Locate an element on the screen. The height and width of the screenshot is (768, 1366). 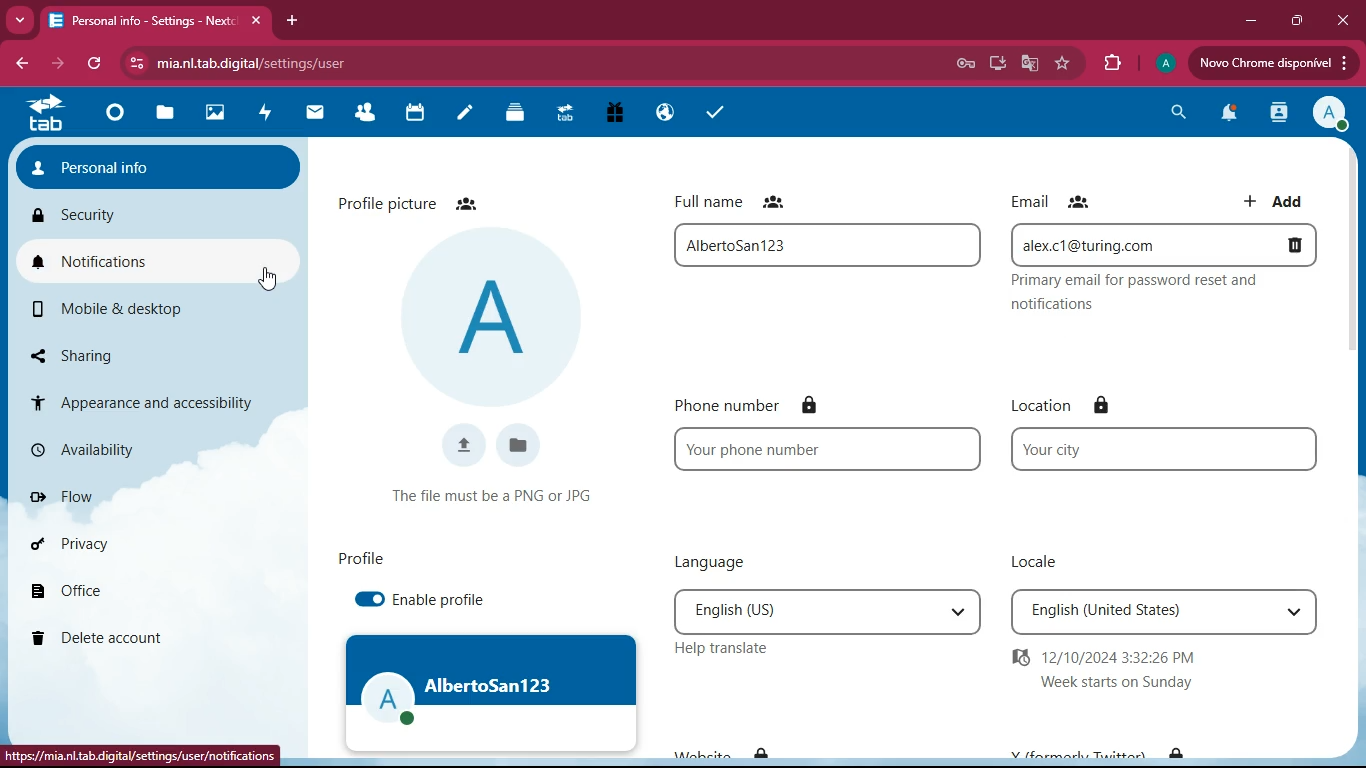
sharing is located at coordinates (89, 351).